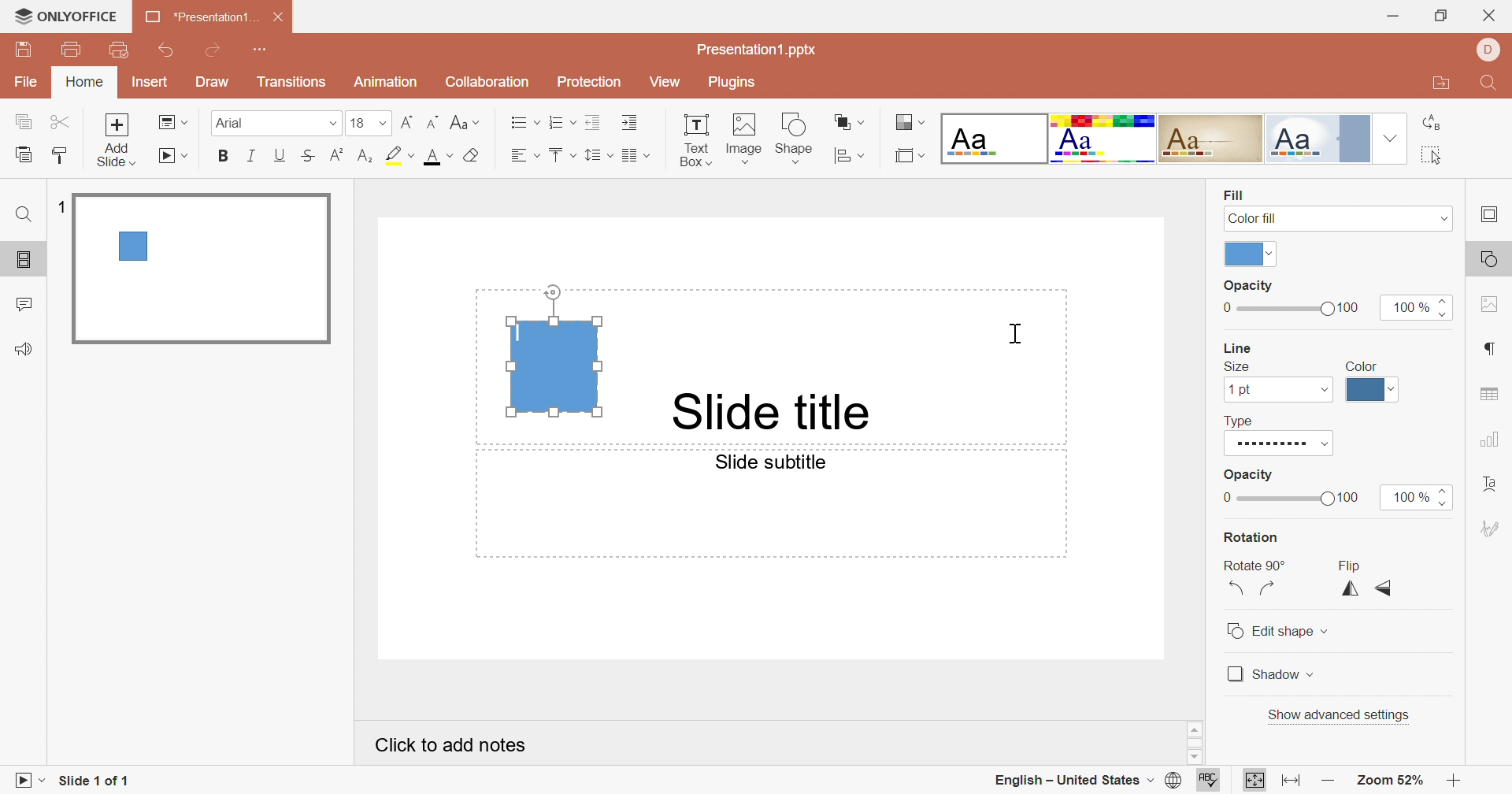 This screenshot has width=1512, height=794. What do you see at coordinates (1340, 714) in the screenshot?
I see `Show advanced settings` at bounding box center [1340, 714].